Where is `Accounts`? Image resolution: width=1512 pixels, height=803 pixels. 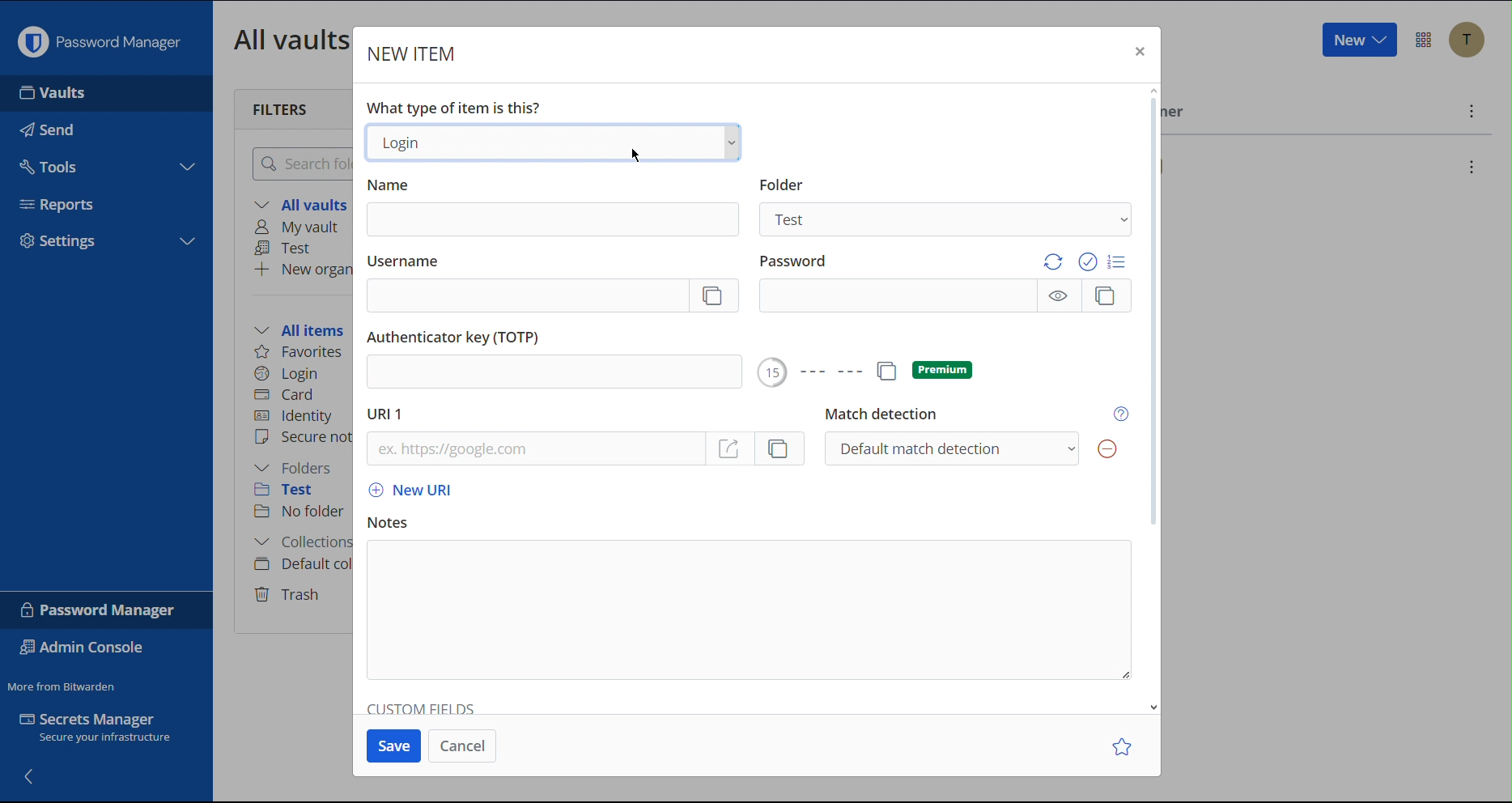 Accounts is located at coordinates (1467, 40).